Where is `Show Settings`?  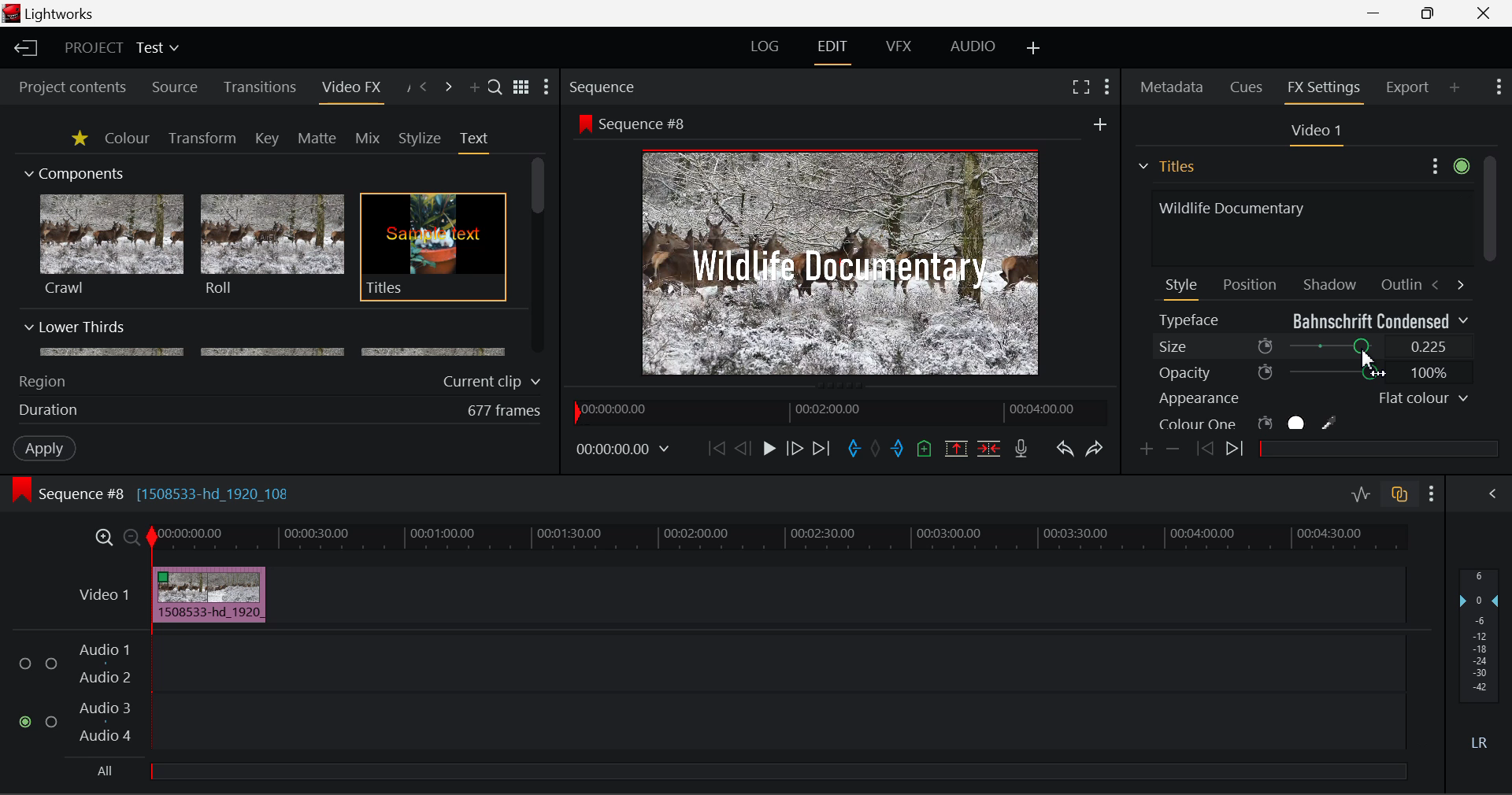 Show Settings is located at coordinates (547, 87).